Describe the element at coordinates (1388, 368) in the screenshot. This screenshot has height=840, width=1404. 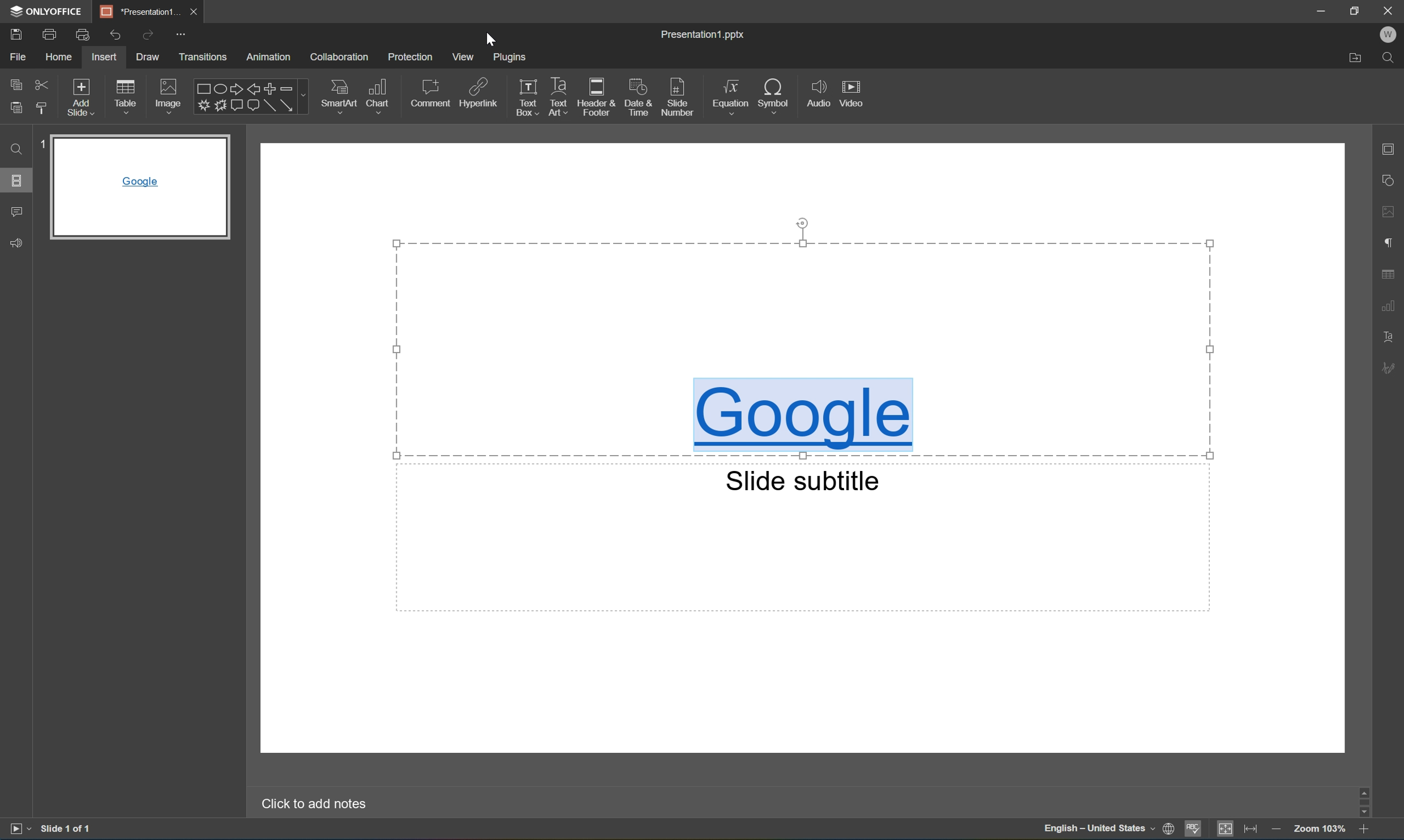
I see `Signature settings` at that location.